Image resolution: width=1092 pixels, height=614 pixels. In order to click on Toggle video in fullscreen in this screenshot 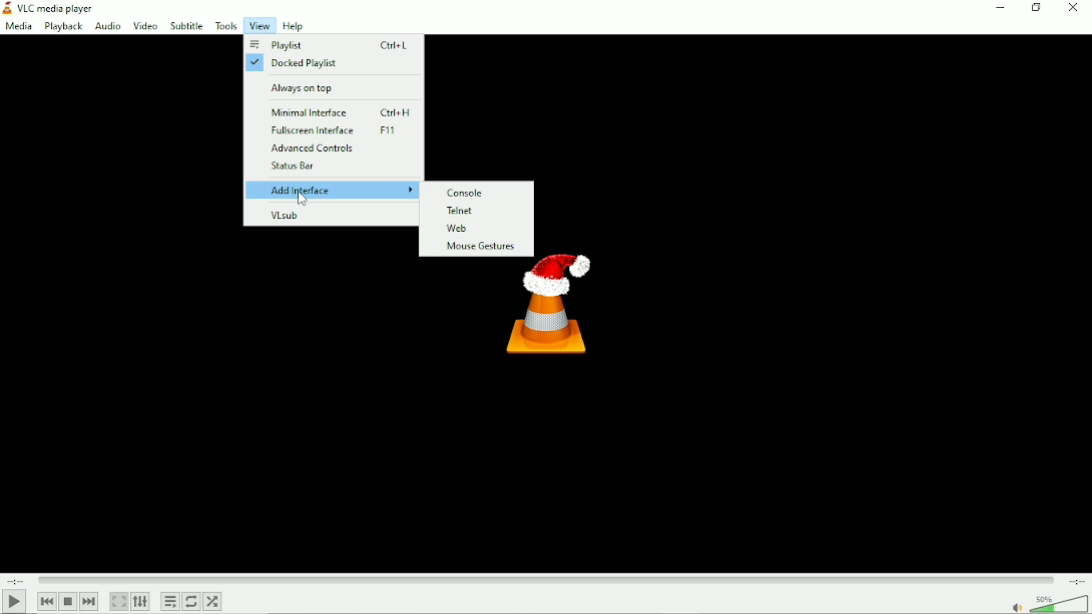, I will do `click(119, 600)`.